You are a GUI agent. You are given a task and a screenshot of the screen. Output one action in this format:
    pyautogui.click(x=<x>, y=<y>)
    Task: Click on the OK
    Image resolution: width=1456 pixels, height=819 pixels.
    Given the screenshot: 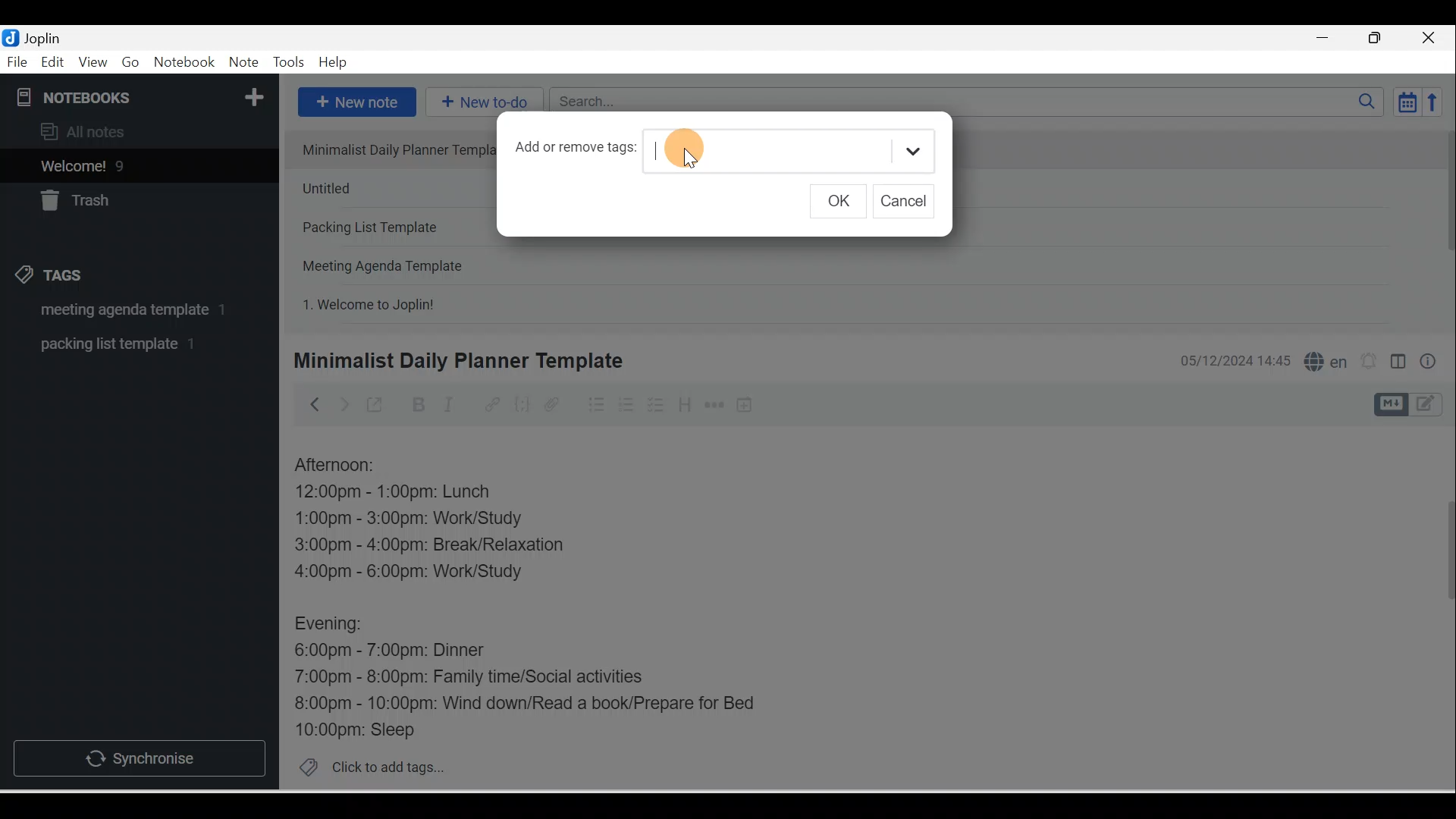 What is the action you would take?
    pyautogui.click(x=843, y=202)
    